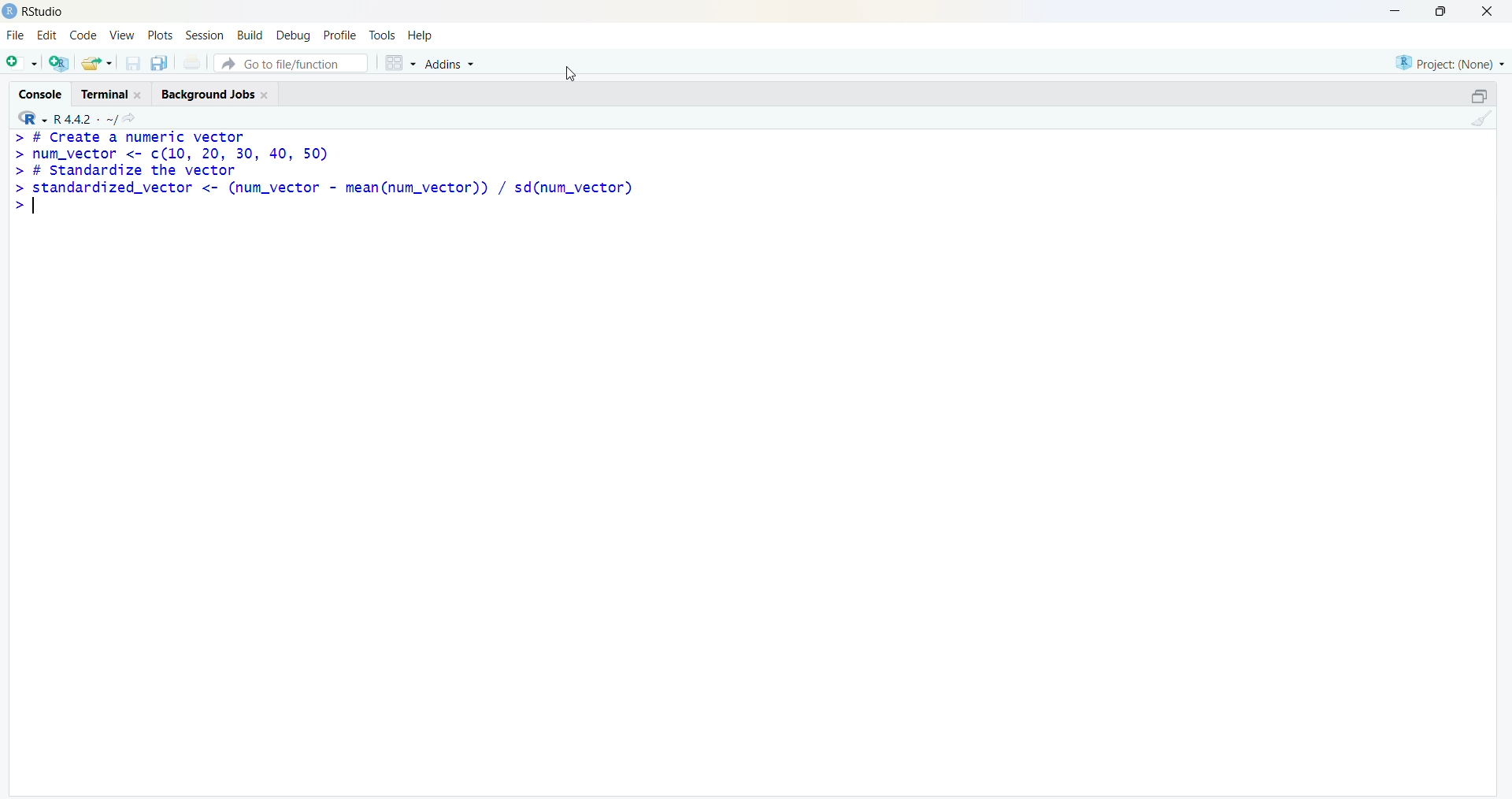 This screenshot has width=1512, height=799. What do you see at coordinates (159, 35) in the screenshot?
I see `plots` at bounding box center [159, 35].